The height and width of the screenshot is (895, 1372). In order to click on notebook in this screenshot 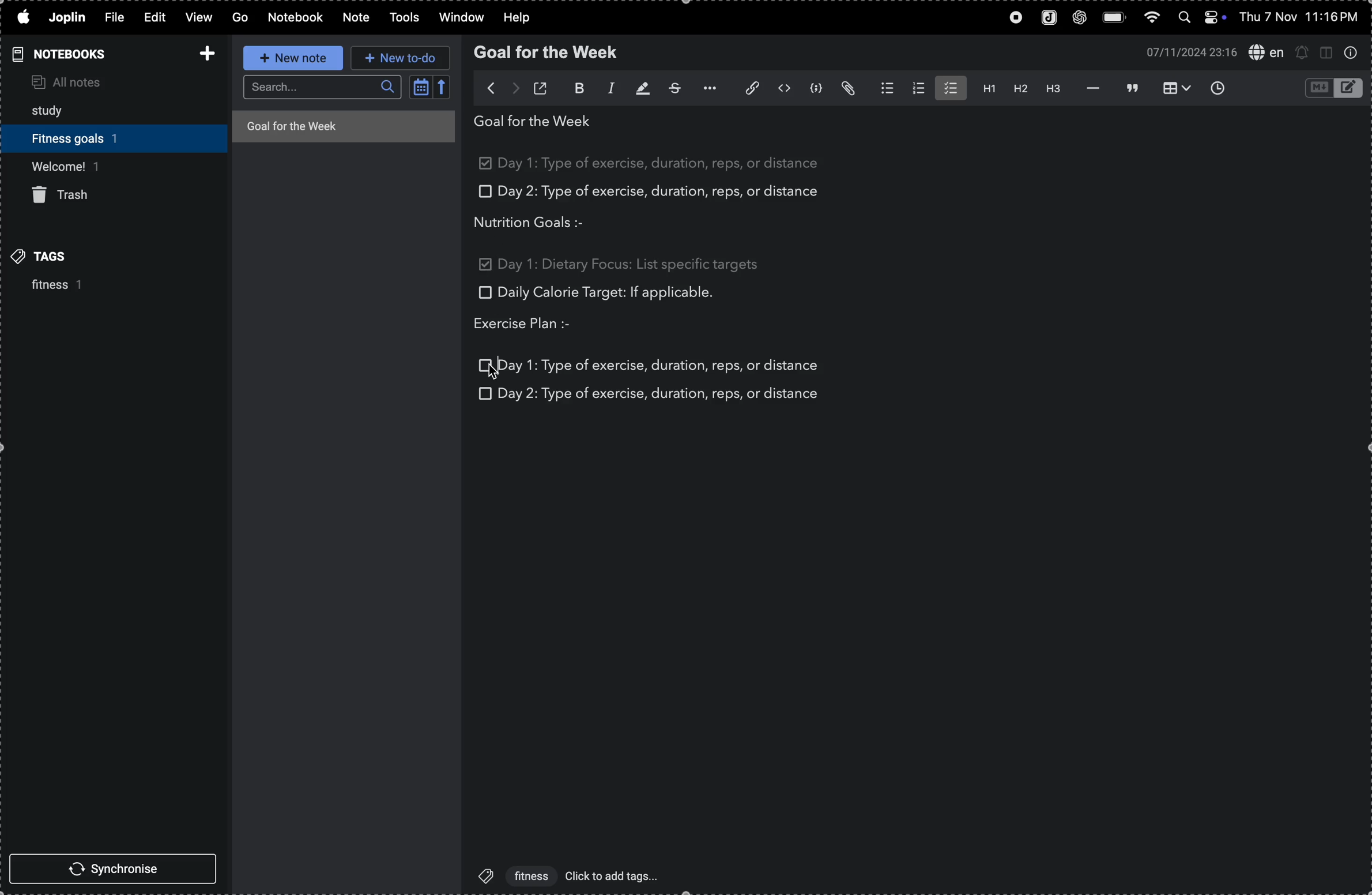, I will do `click(296, 17)`.